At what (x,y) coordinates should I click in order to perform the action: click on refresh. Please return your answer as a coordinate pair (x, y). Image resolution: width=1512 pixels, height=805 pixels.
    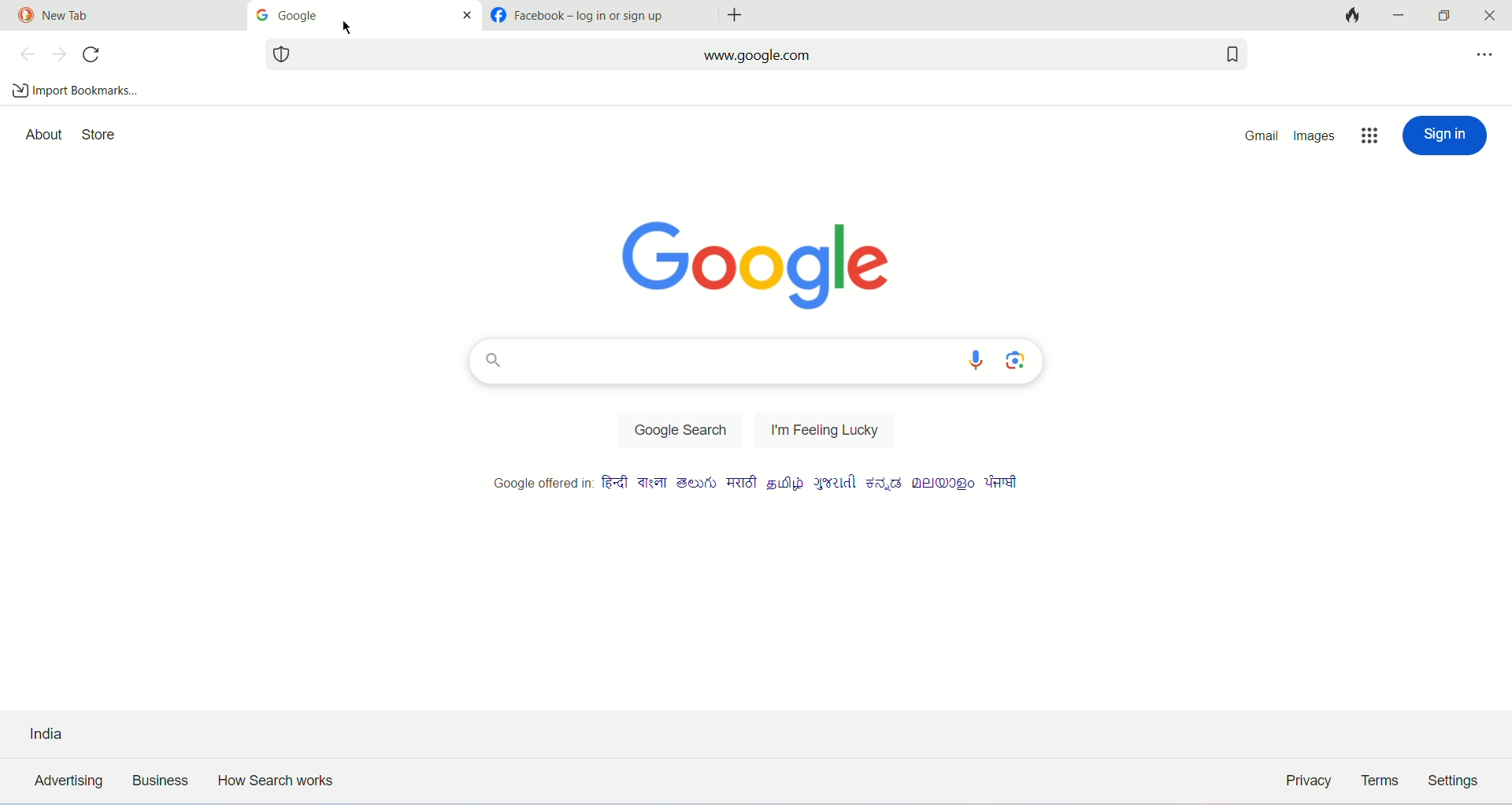
    Looking at the image, I should click on (92, 54).